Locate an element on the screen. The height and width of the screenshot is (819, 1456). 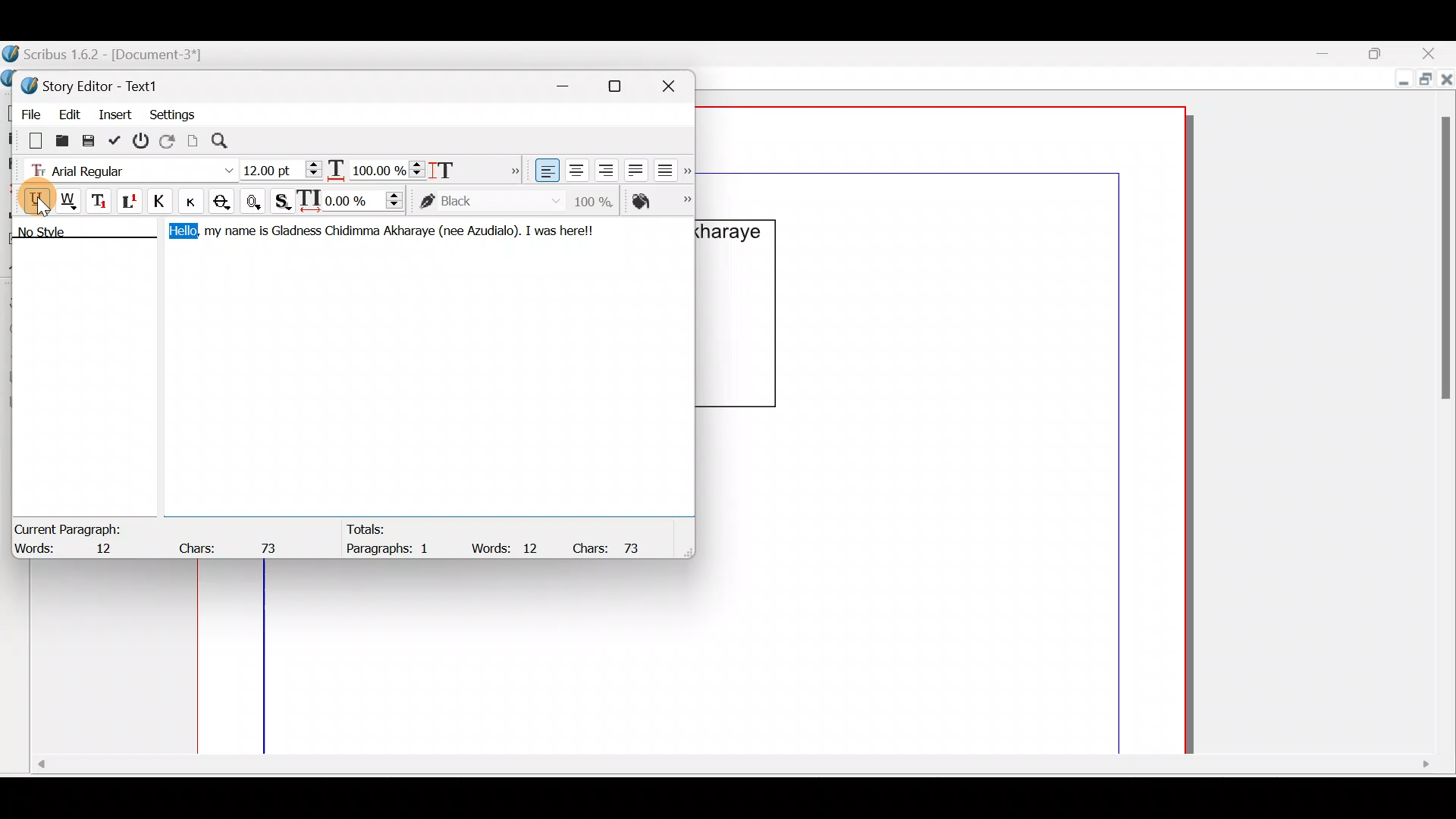
color of text stroke is located at coordinates (490, 202).